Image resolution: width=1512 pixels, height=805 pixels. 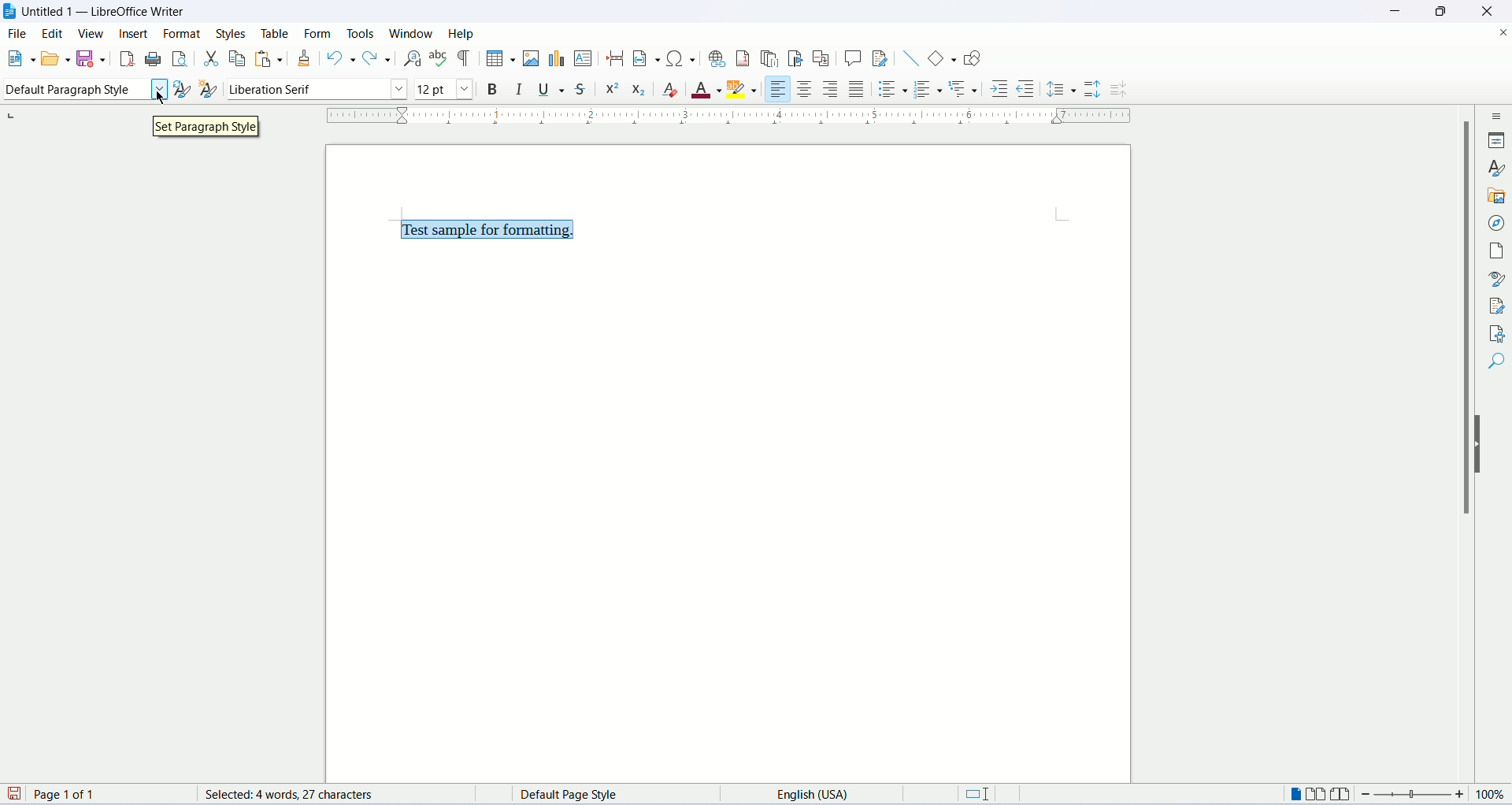 I want to click on English(USA), so click(x=800, y=793).